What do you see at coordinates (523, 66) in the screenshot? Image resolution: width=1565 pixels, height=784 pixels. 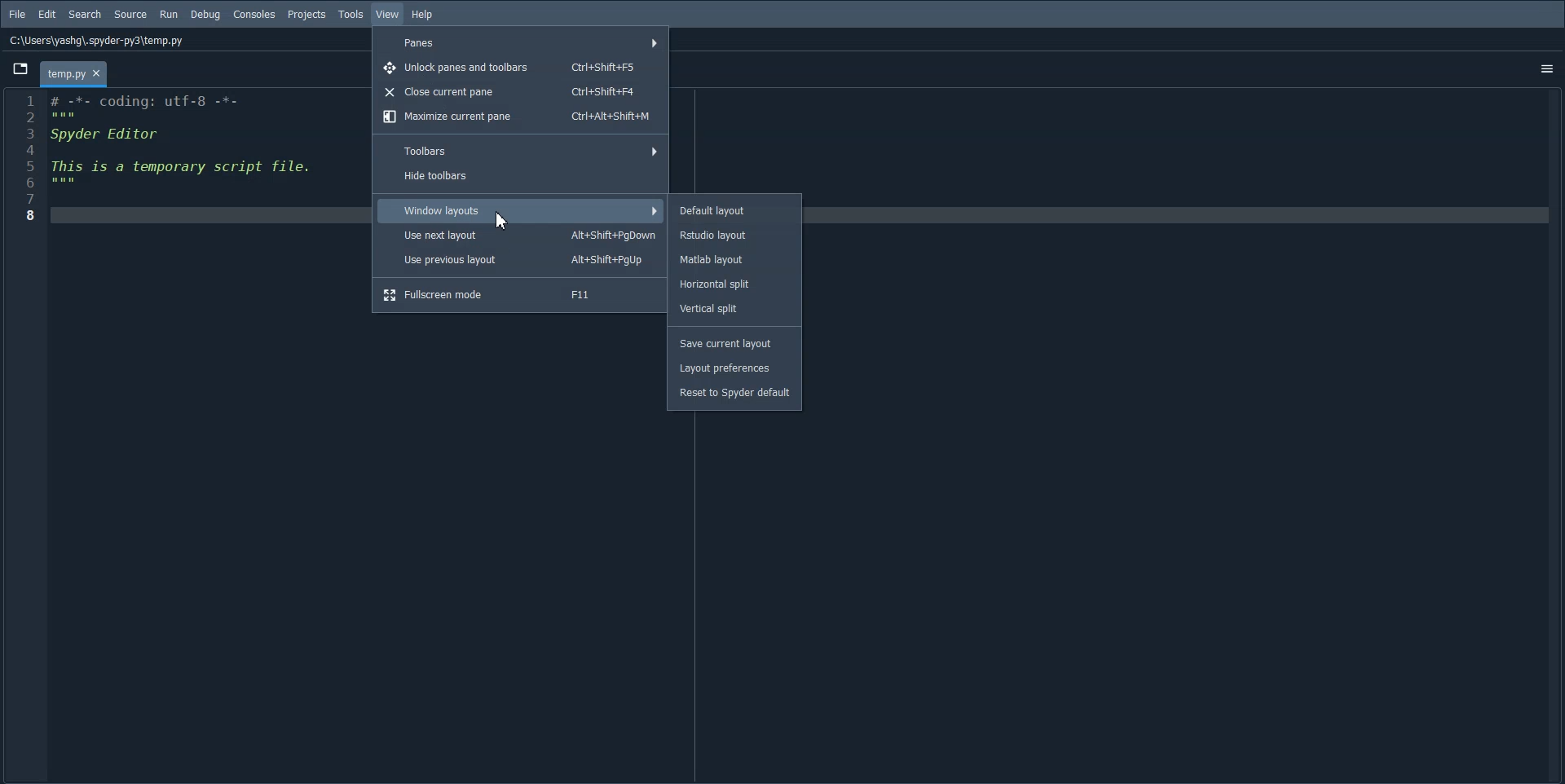 I see `Unlock panes and toolbars` at bounding box center [523, 66].